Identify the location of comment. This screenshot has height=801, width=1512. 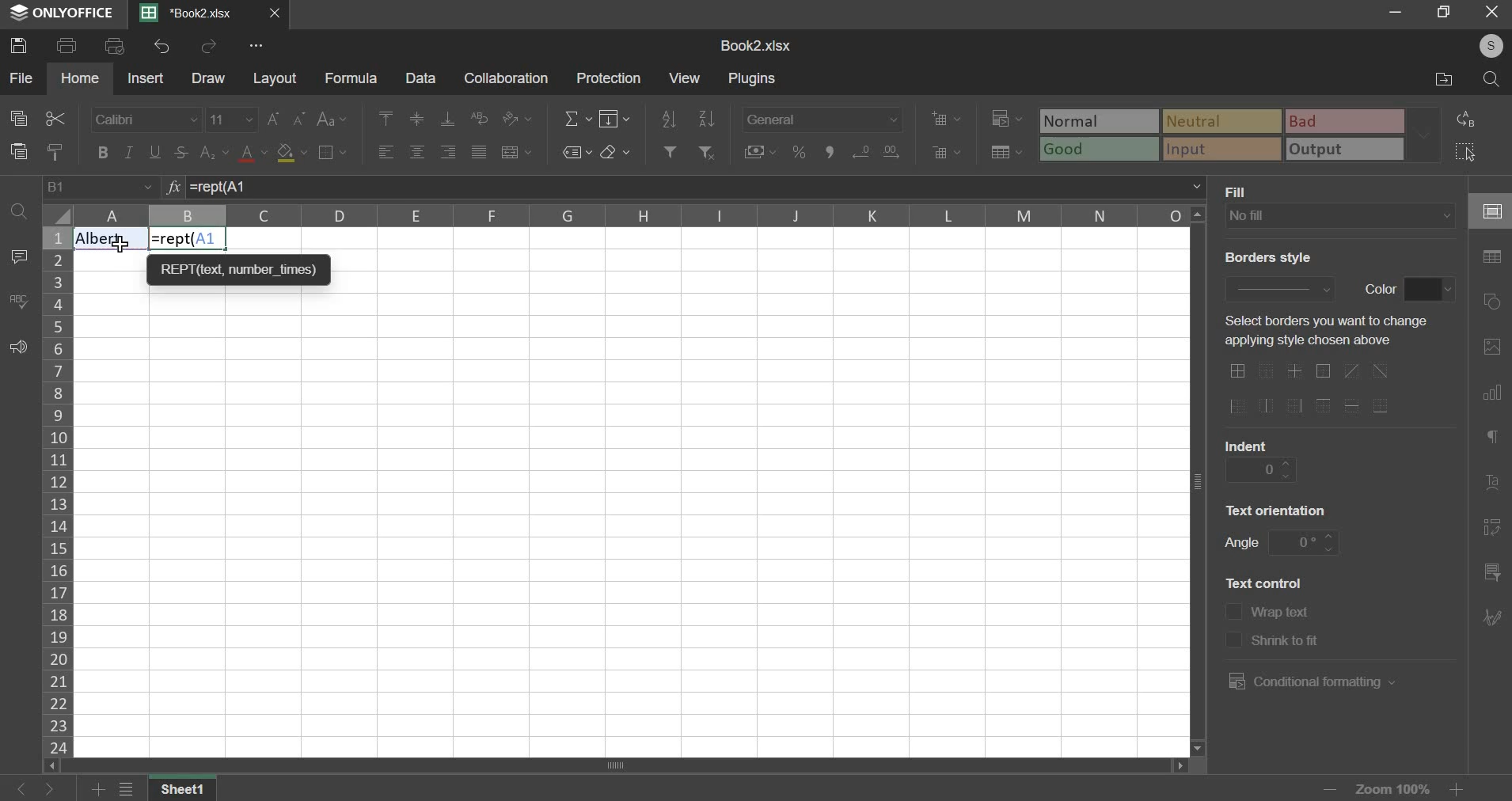
(22, 255).